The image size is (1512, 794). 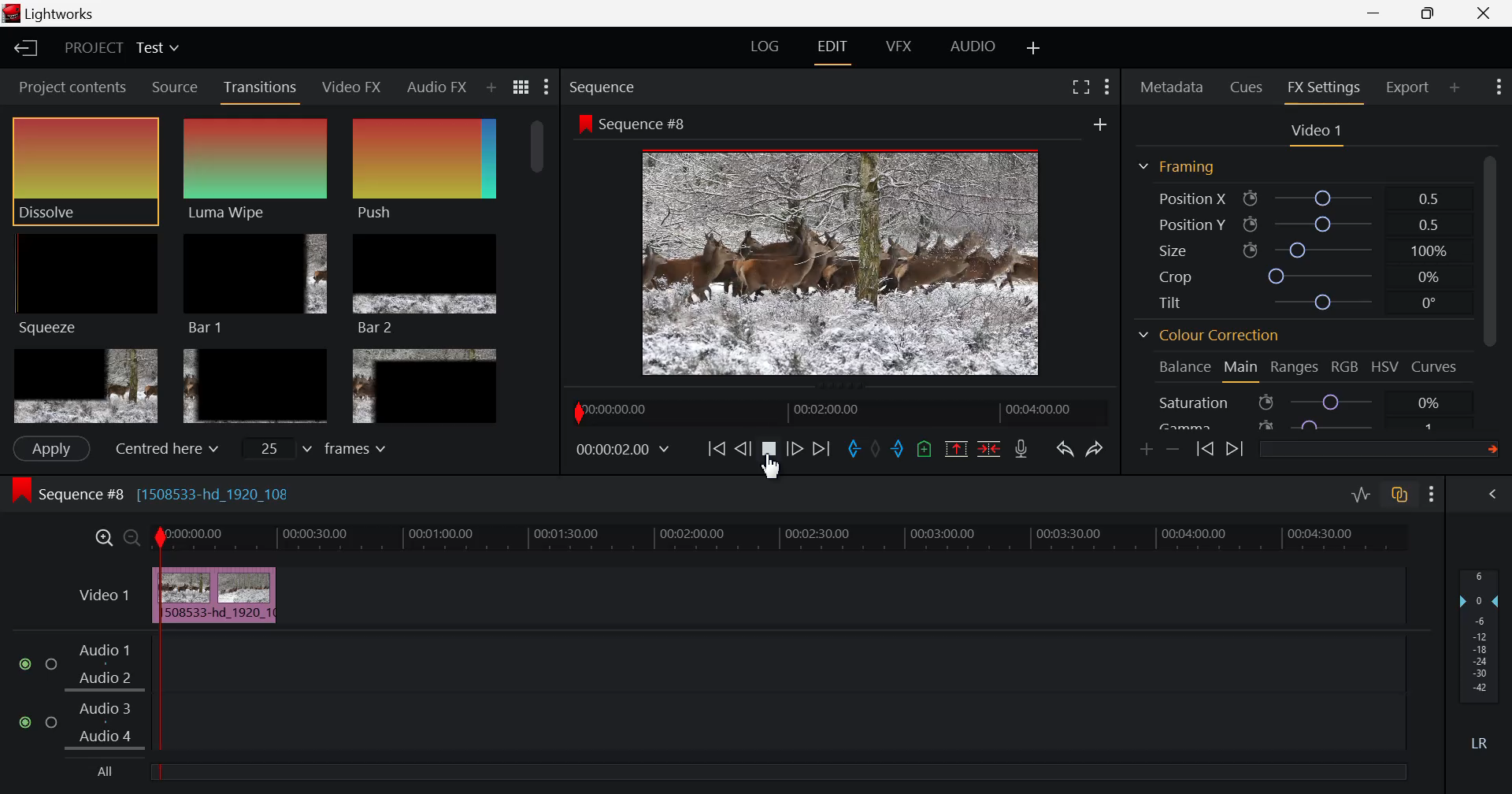 I want to click on Show Settings, so click(x=1497, y=87).